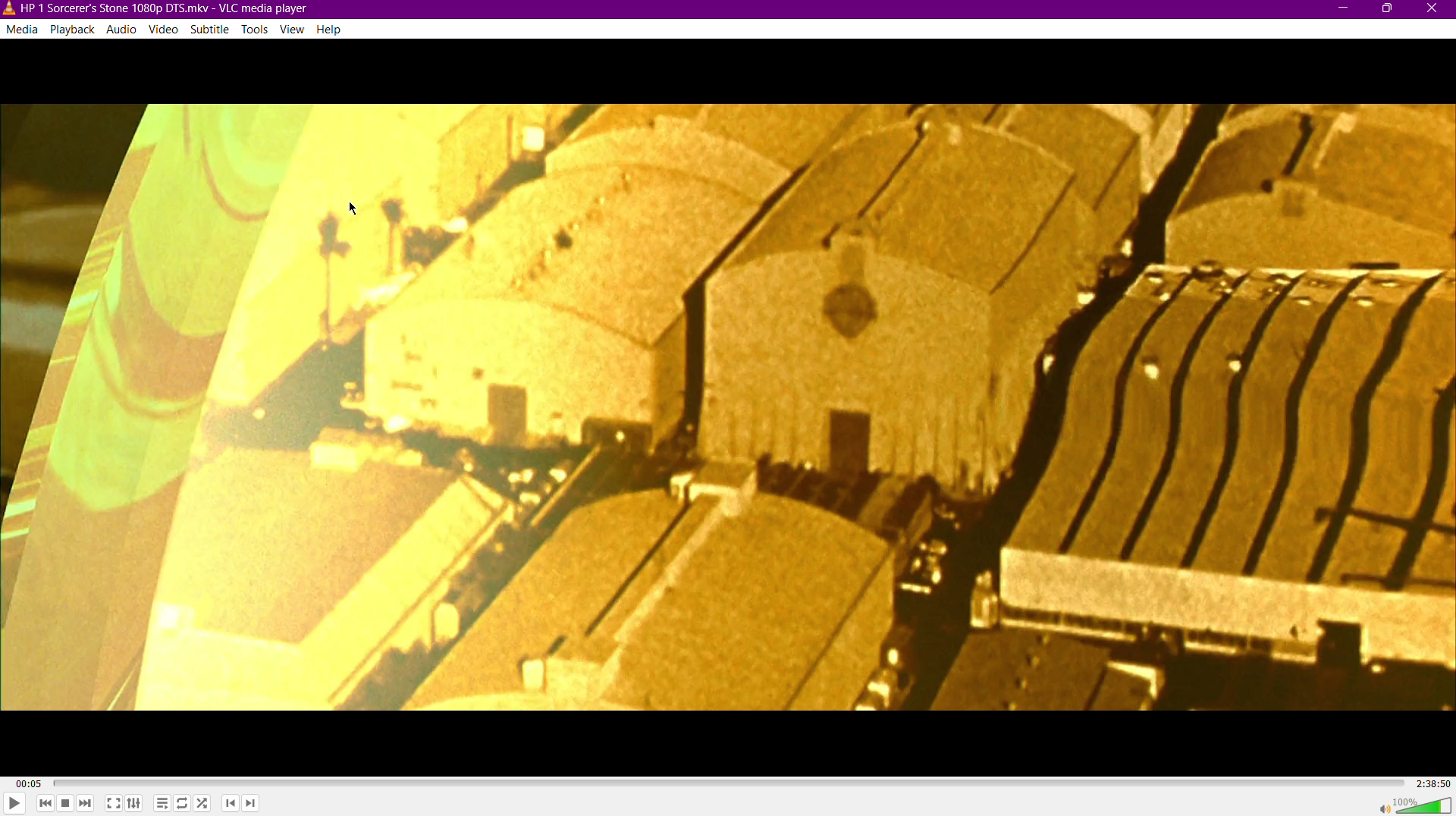 The height and width of the screenshot is (816, 1456). I want to click on Close, so click(1430, 9).